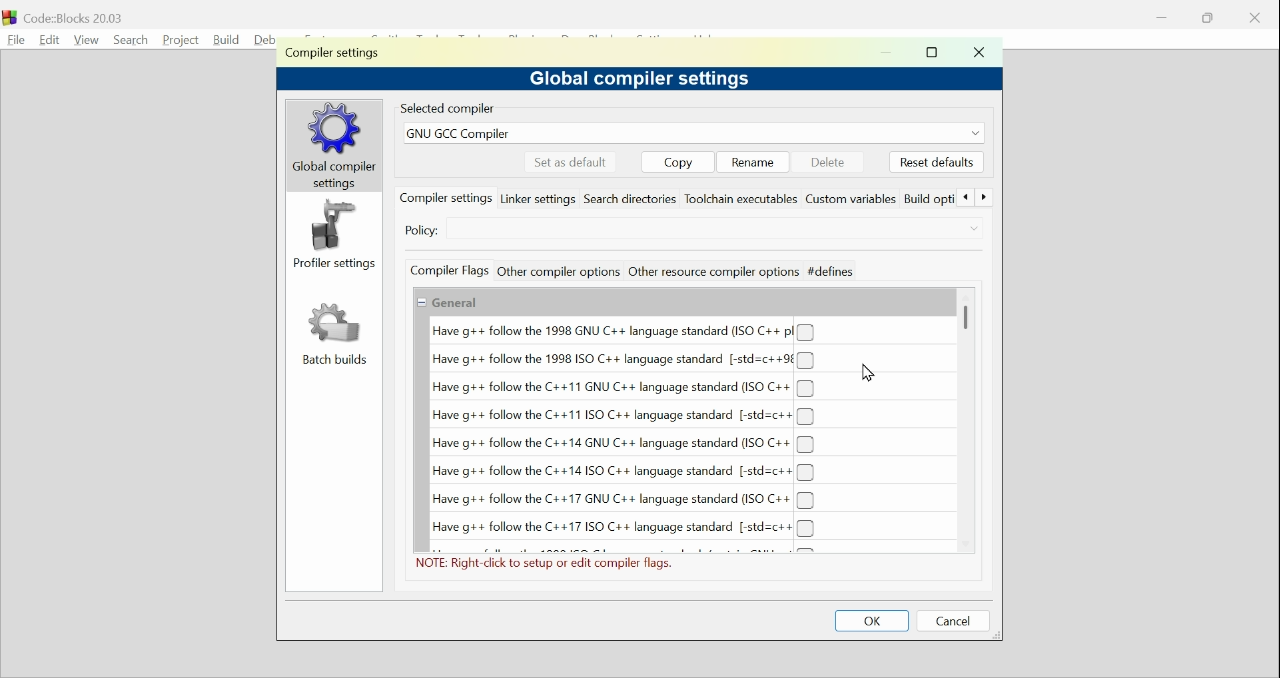  I want to click on Search, so click(127, 38).